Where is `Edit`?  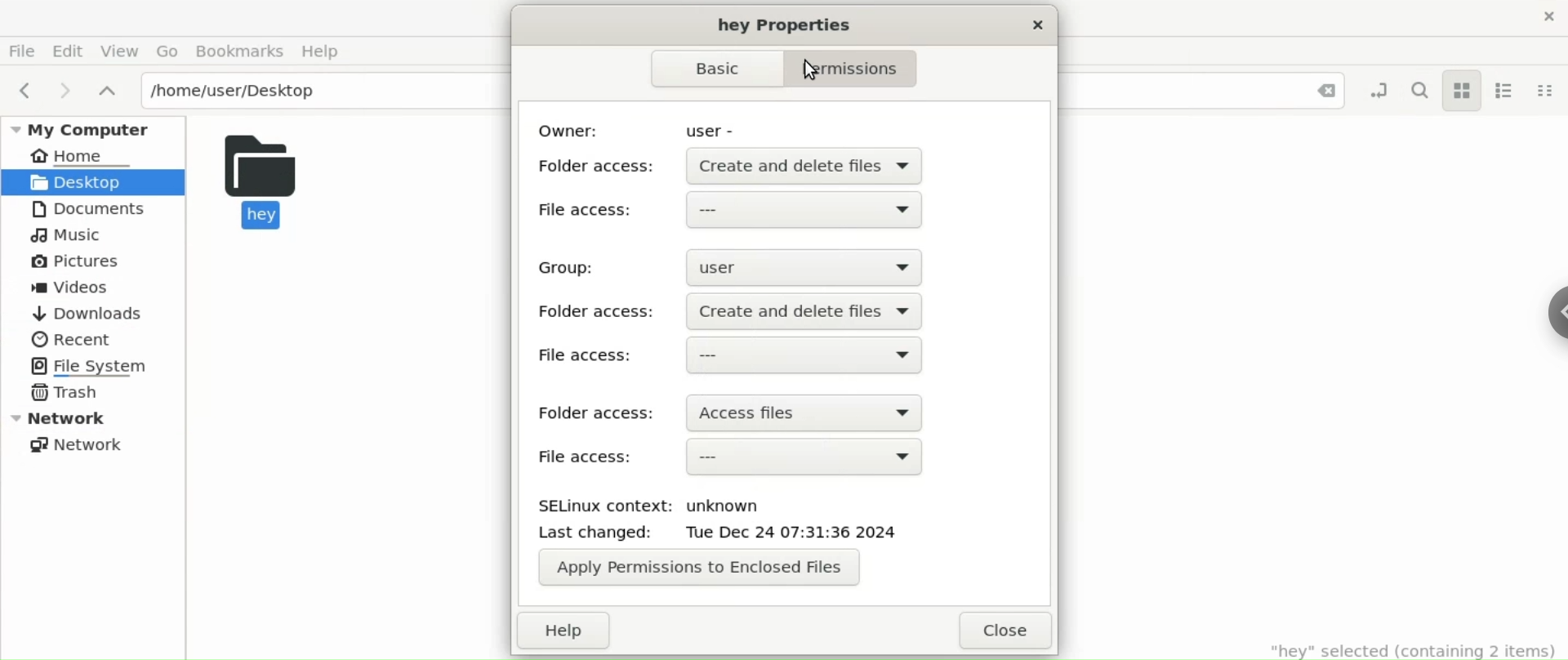 Edit is located at coordinates (70, 49).